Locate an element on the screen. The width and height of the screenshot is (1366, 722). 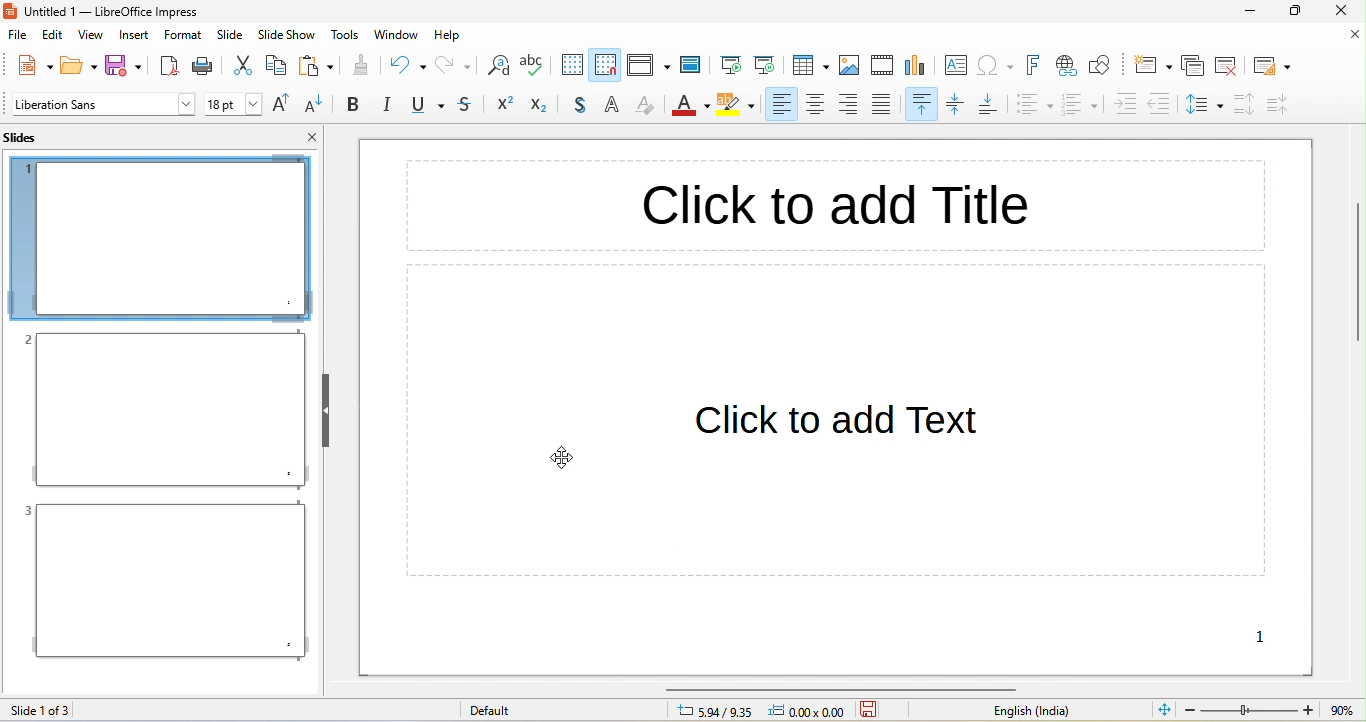
delete slide is located at coordinates (1229, 64).